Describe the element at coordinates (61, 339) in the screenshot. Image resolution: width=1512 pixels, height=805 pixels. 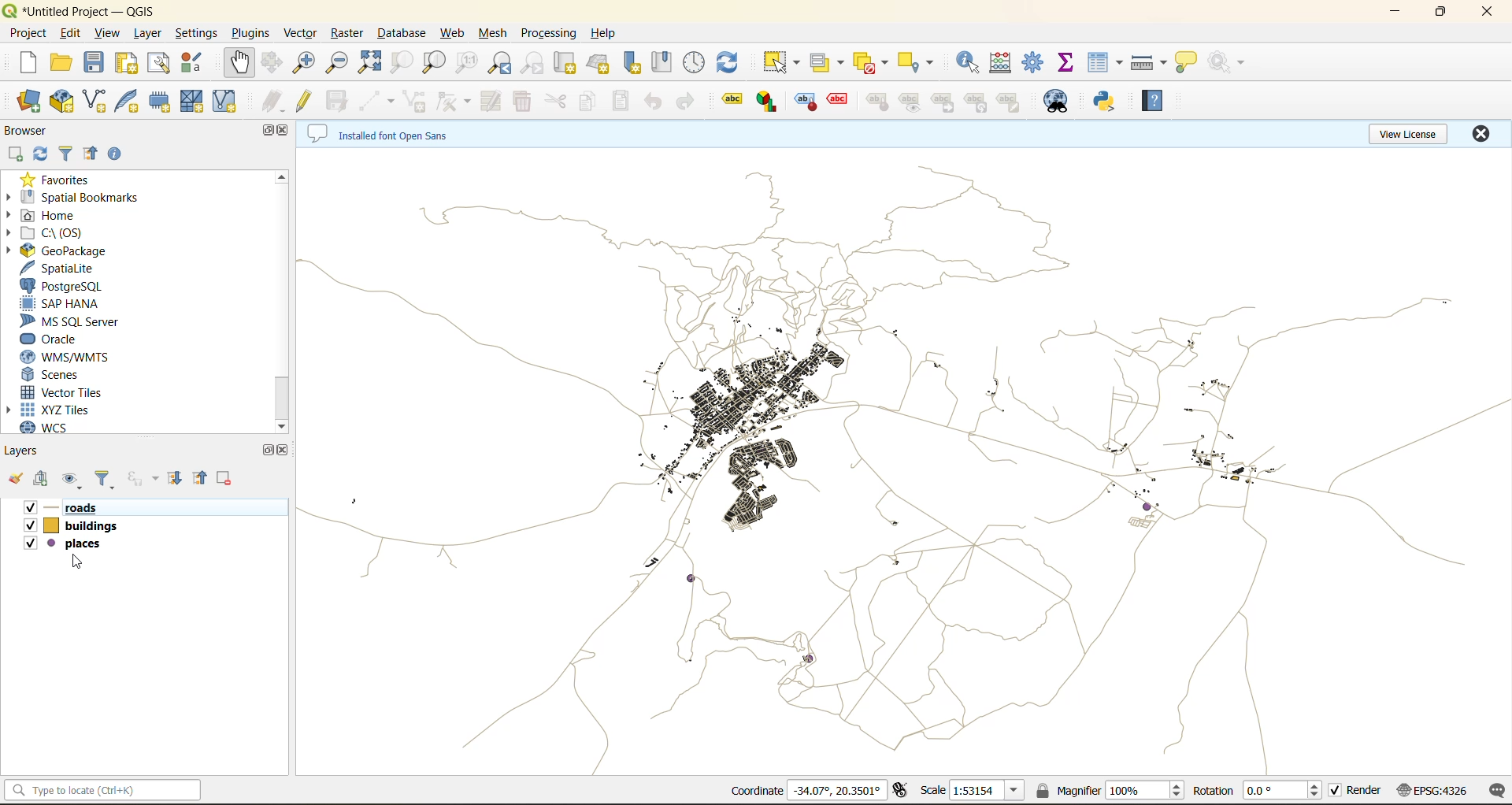
I see `oracle` at that location.